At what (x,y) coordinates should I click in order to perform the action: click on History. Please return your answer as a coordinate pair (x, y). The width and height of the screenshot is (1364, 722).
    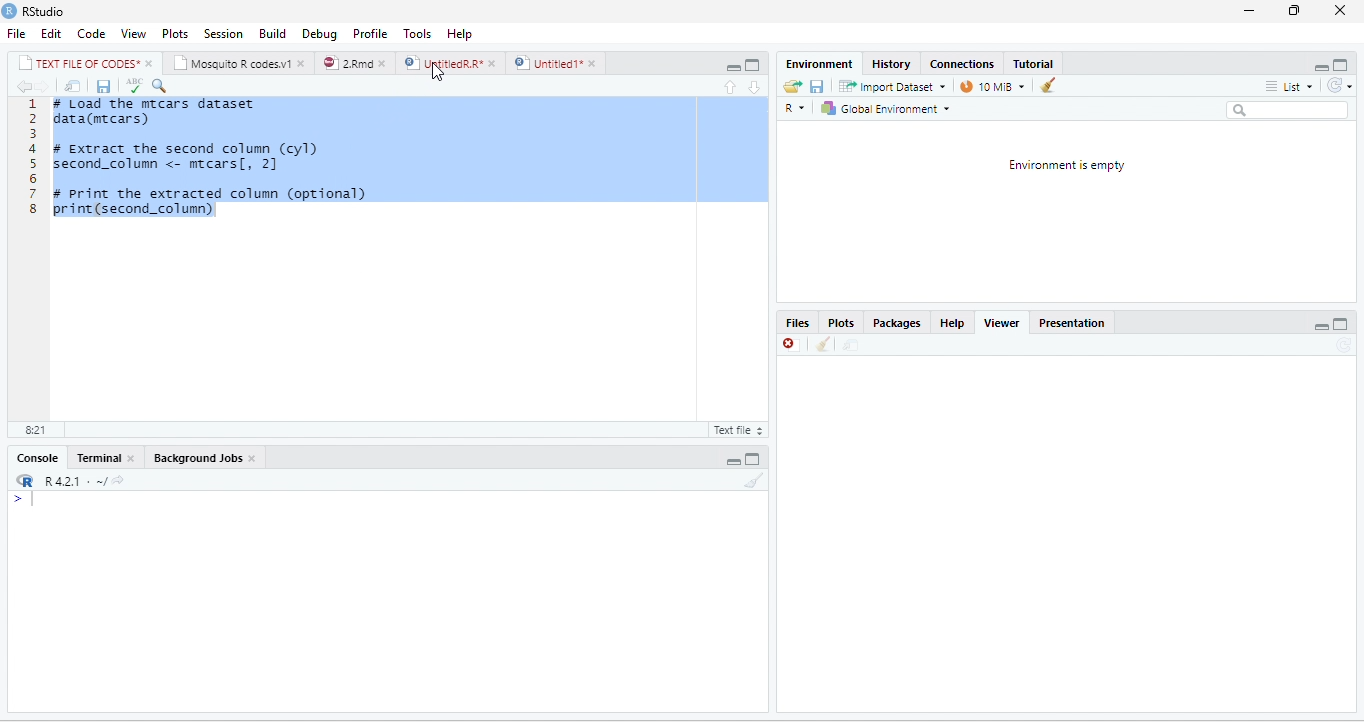
    Looking at the image, I should click on (891, 63).